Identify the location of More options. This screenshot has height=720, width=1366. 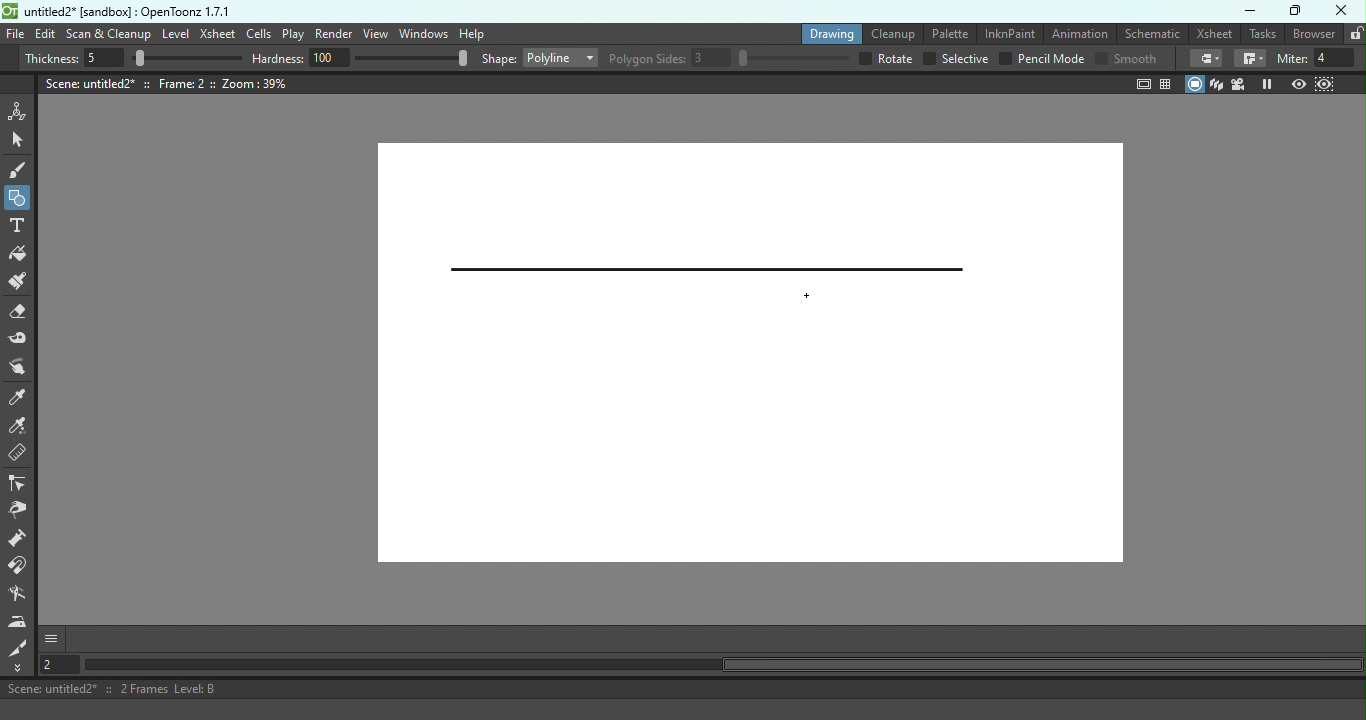
(51, 640).